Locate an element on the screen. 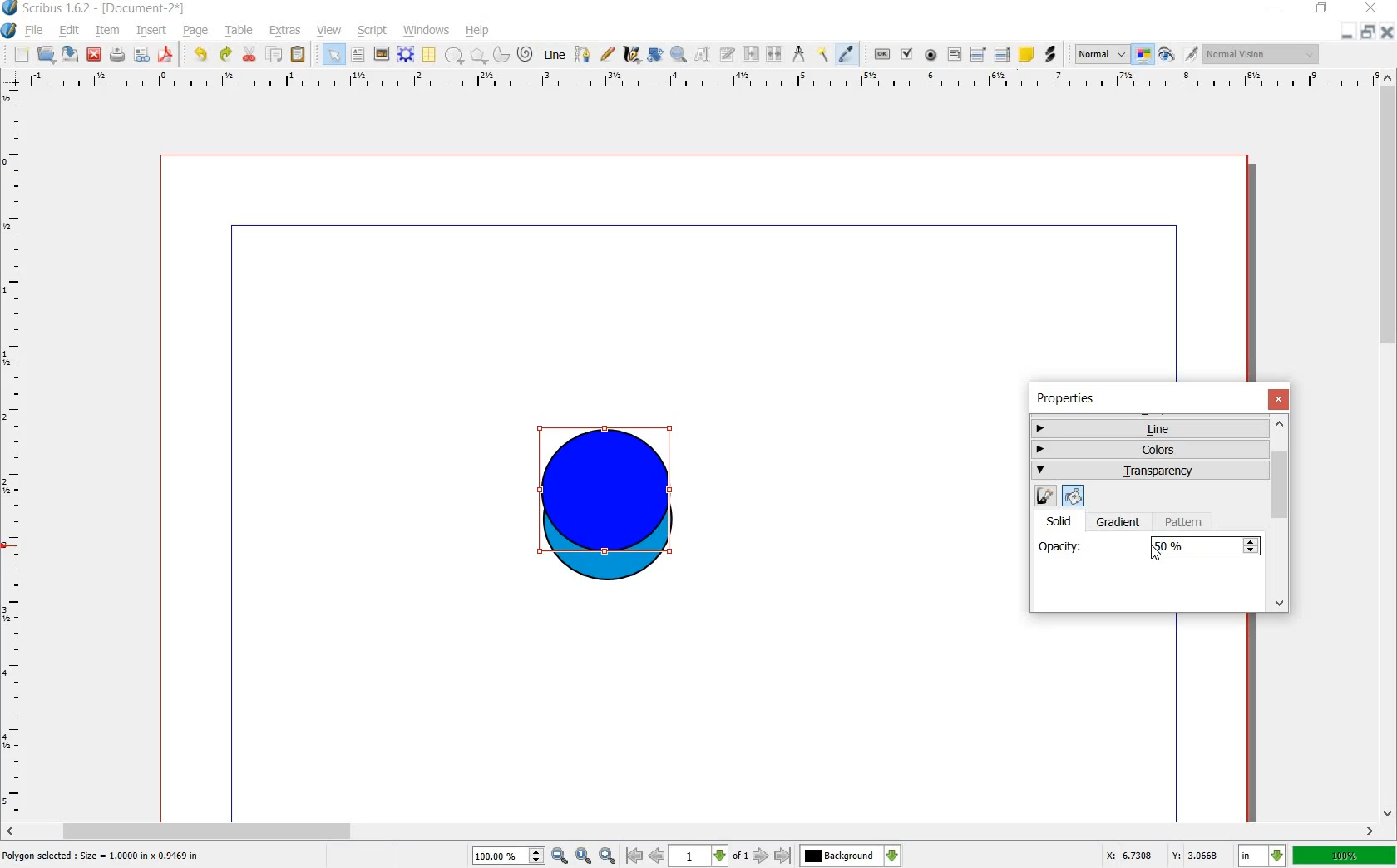 This screenshot has width=1397, height=868. calligraphic line is located at coordinates (631, 57).